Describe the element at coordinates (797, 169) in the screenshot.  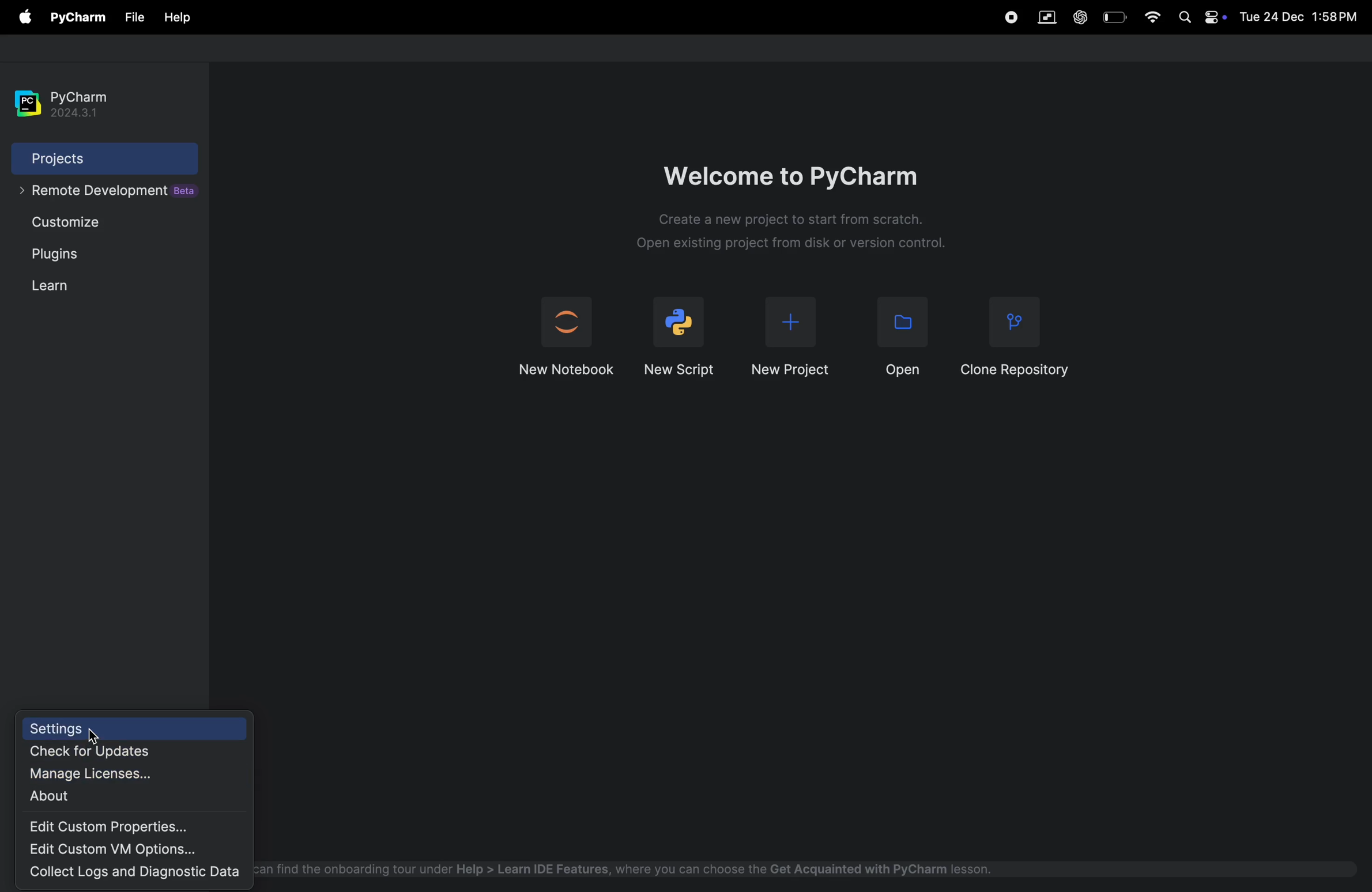
I see `Welcome to pycharm` at that location.